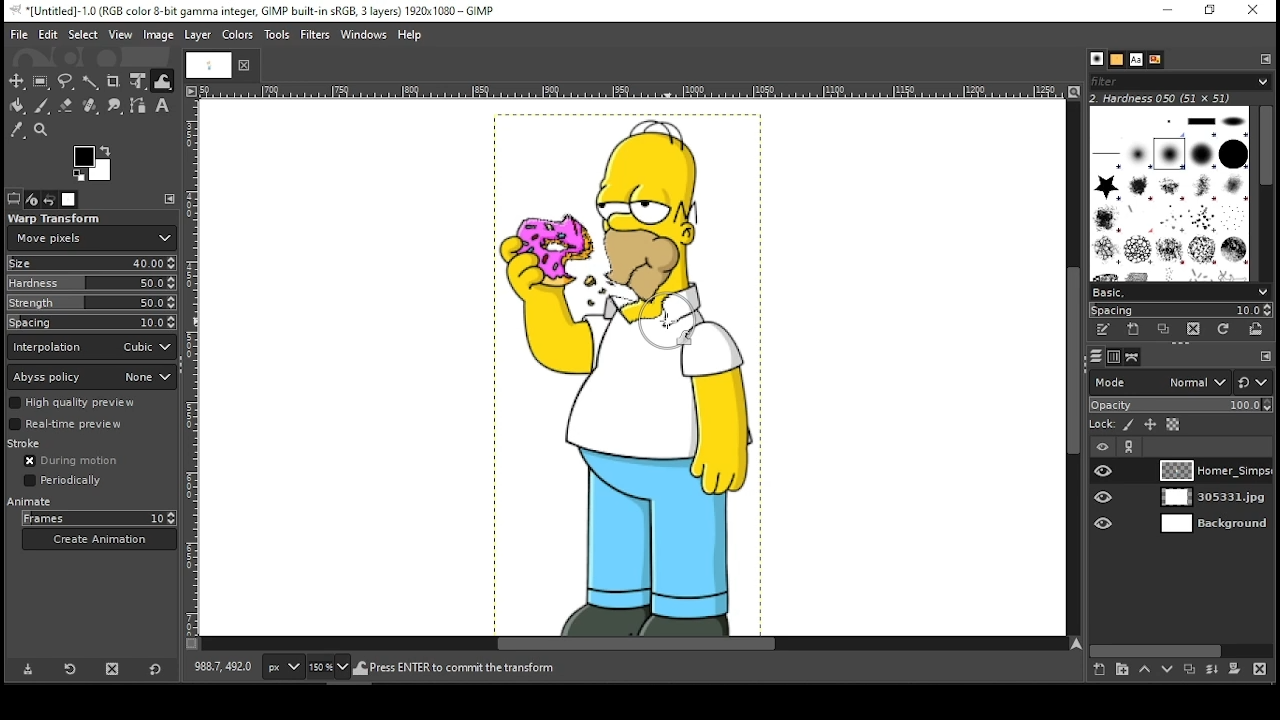 Image resolution: width=1280 pixels, height=720 pixels. Describe the element at coordinates (1226, 329) in the screenshot. I see `refresh brushes` at that location.